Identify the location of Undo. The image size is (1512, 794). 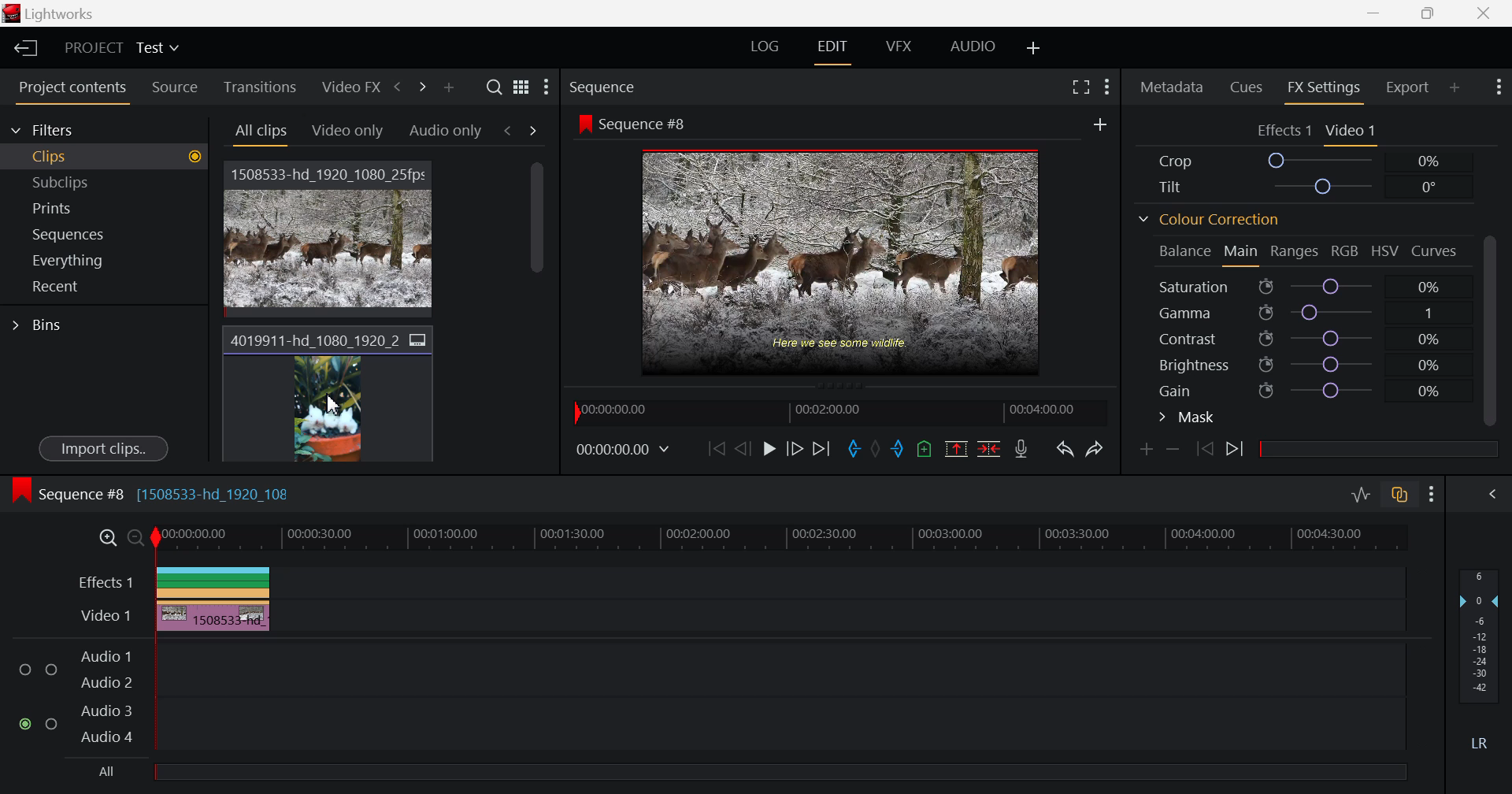
(1065, 450).